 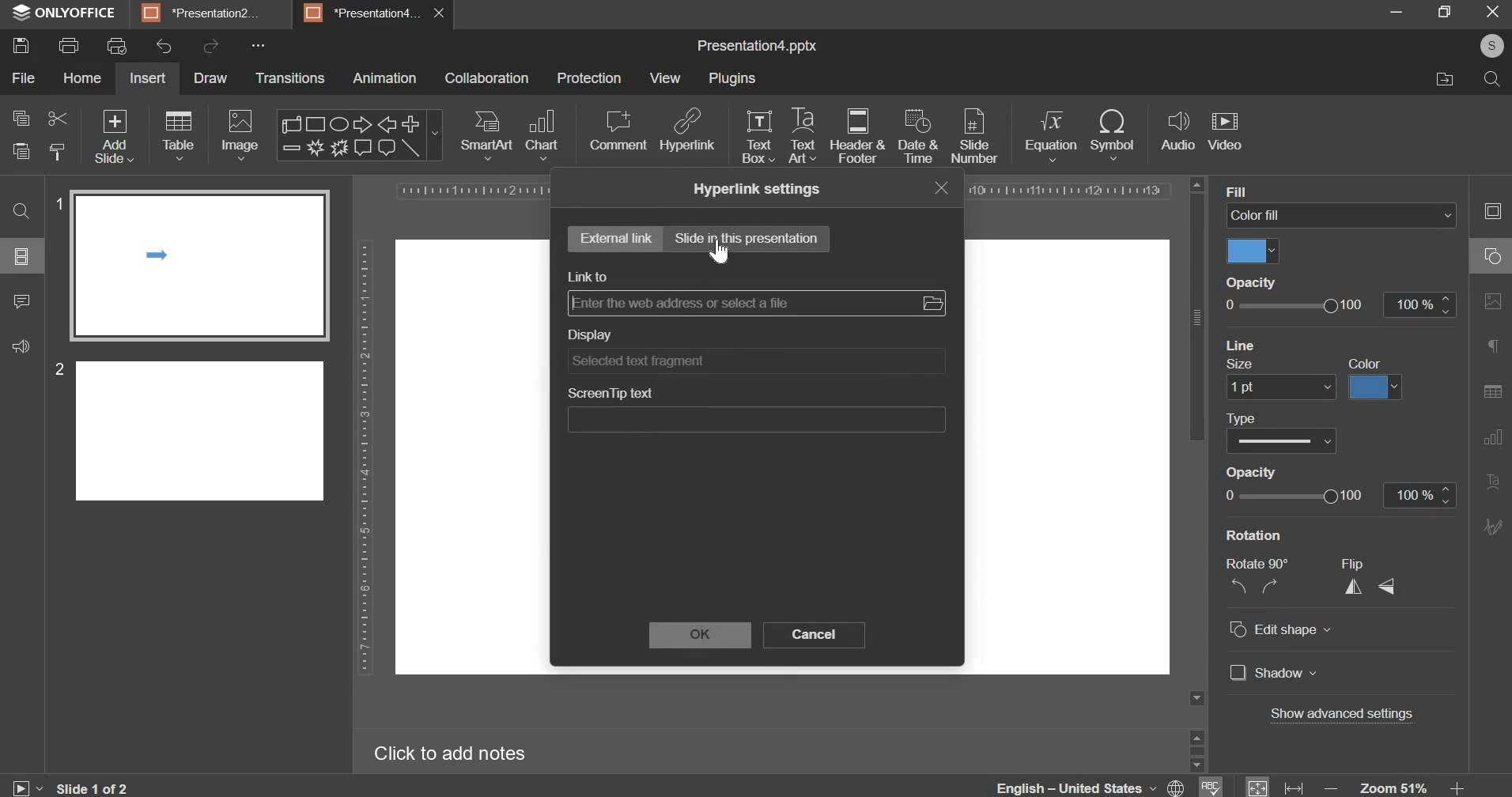 What do you see at coordinates (1273, 784) in the screenshot?
I see `fit` at bounding box center [1273, 784].